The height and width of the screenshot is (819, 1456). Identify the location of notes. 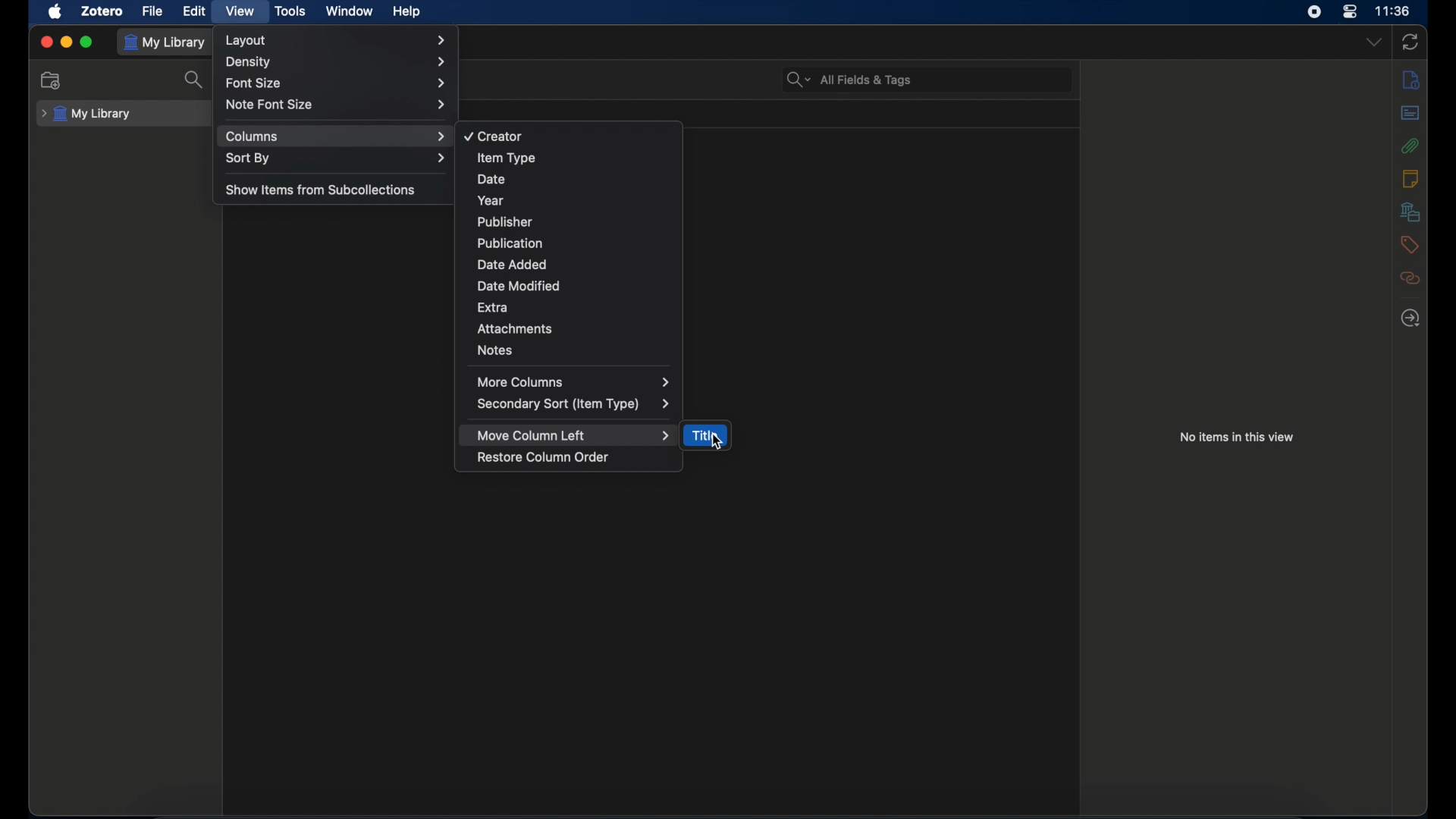
(497, 350).